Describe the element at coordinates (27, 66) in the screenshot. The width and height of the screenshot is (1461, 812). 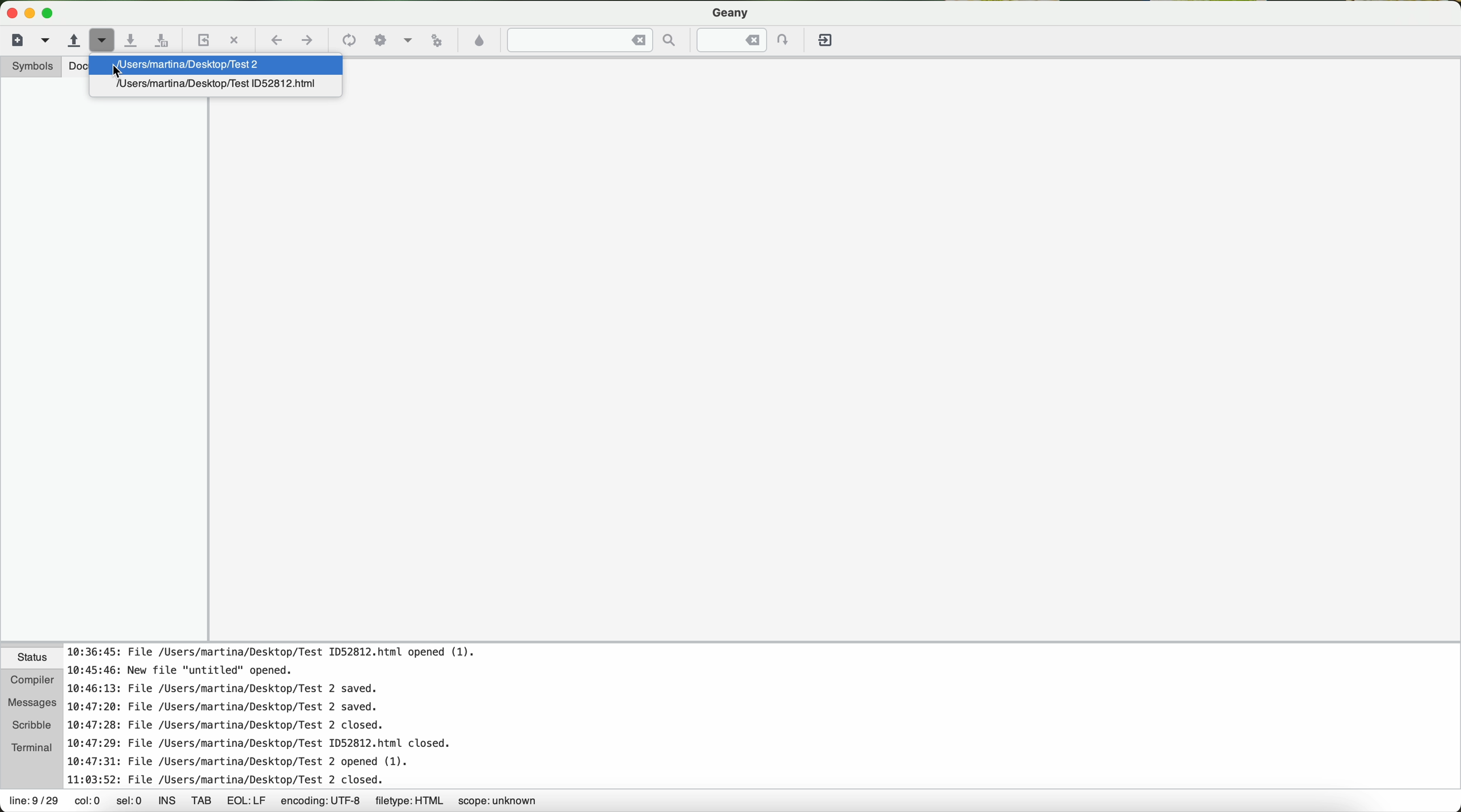
I see `symbols` at that location.